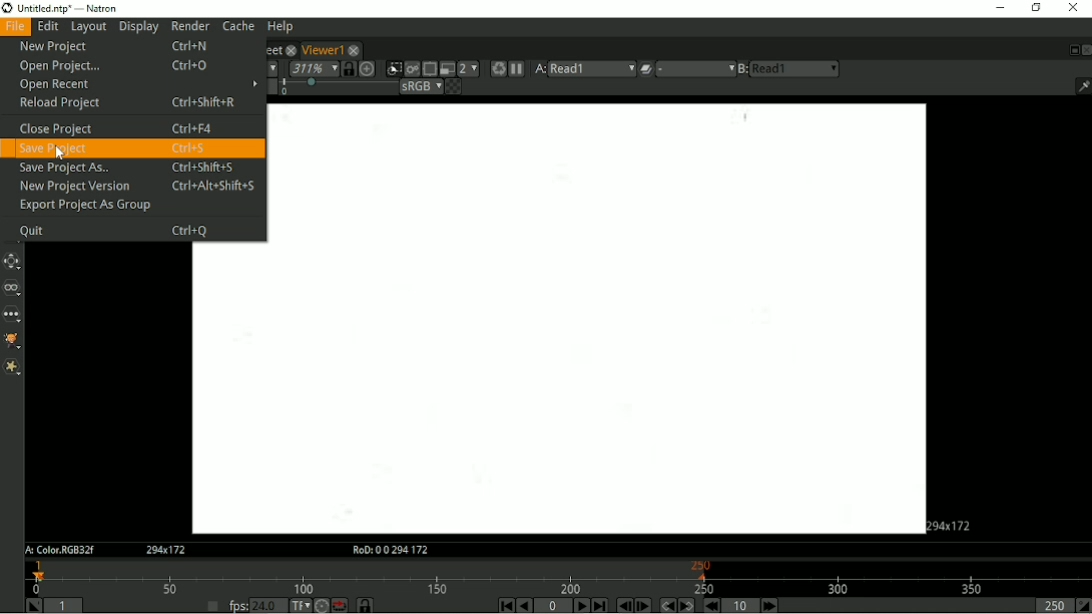  What do you see at coordinates (131, 149) in the screenshot?
I see `Save Project` at bounding box center [131, 149].